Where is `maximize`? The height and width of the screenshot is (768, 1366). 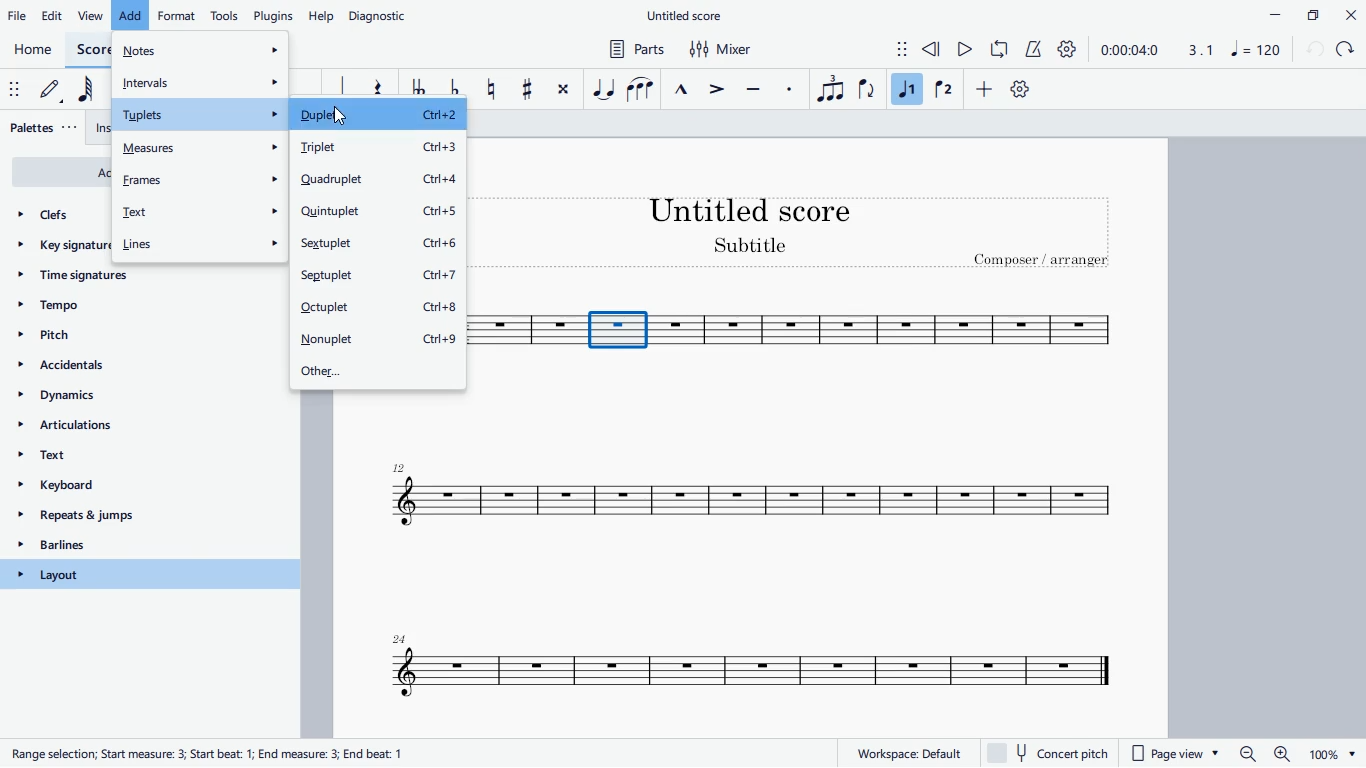 maximize is located at coordinates (1312, 14).